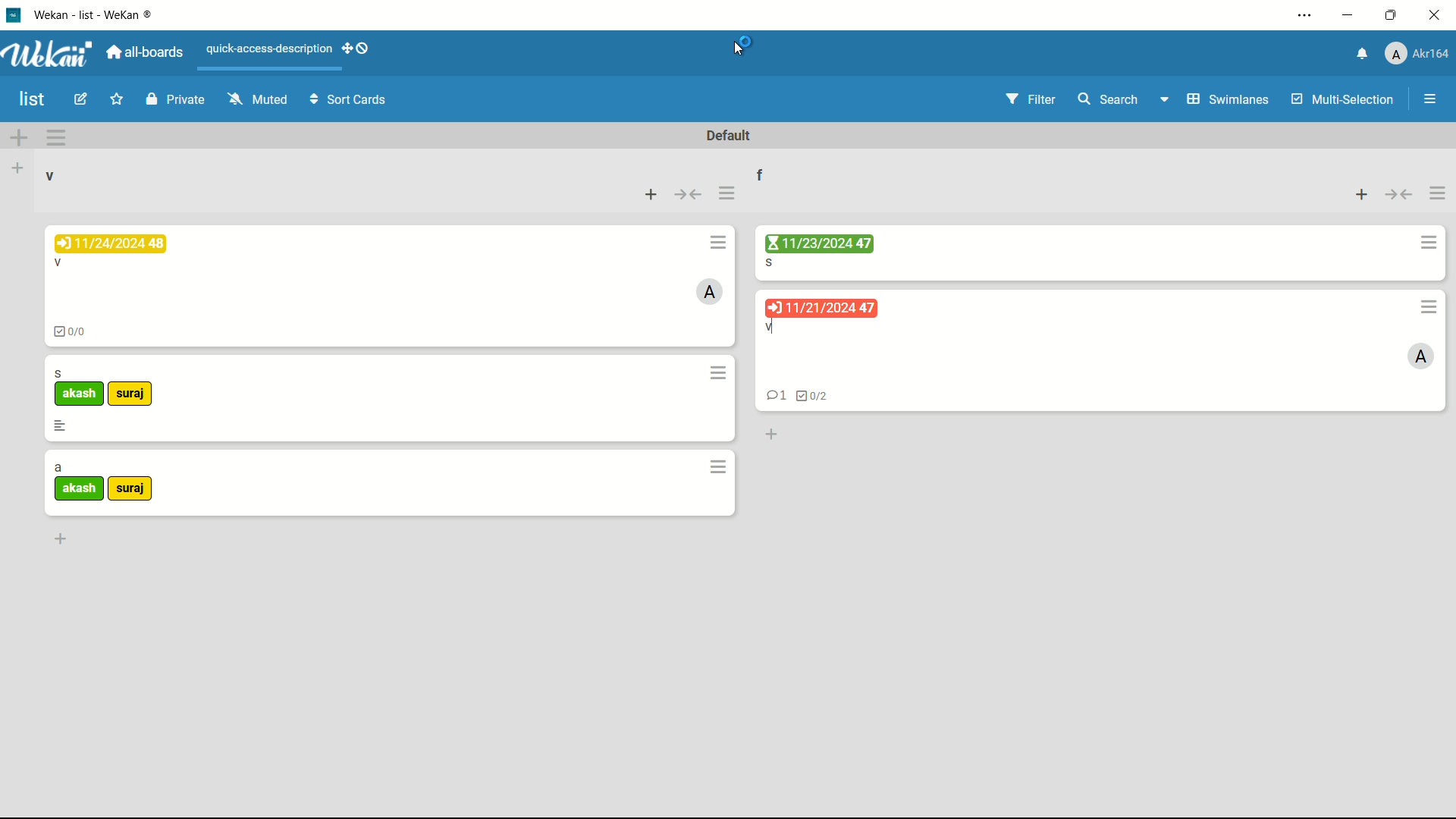  Describe the element at coordinates (691, 196) in the screenshot. I see `collapse` at that location.